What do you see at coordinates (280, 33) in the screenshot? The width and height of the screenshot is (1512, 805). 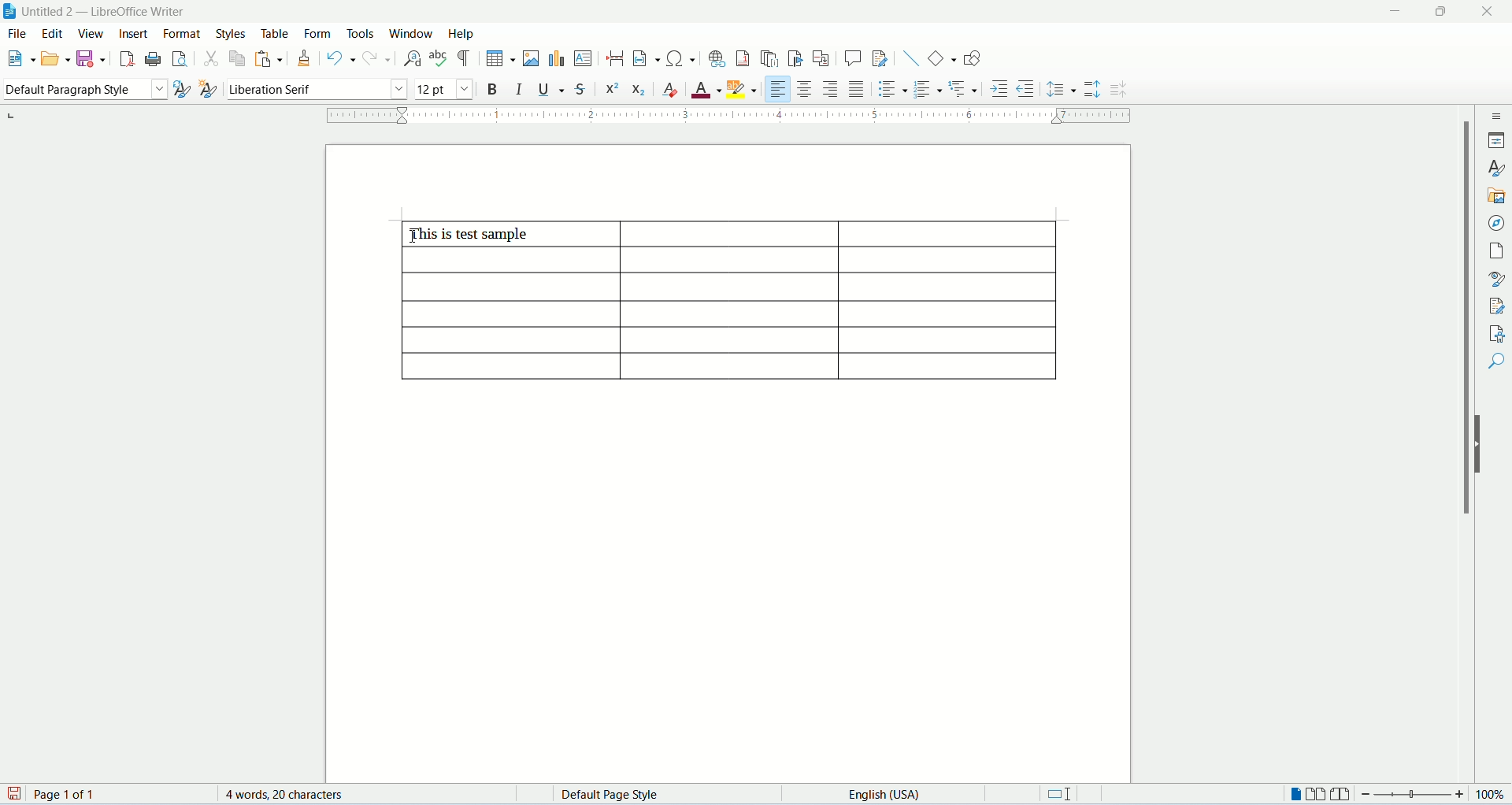 I see `table` at bounding box center [280, 33].